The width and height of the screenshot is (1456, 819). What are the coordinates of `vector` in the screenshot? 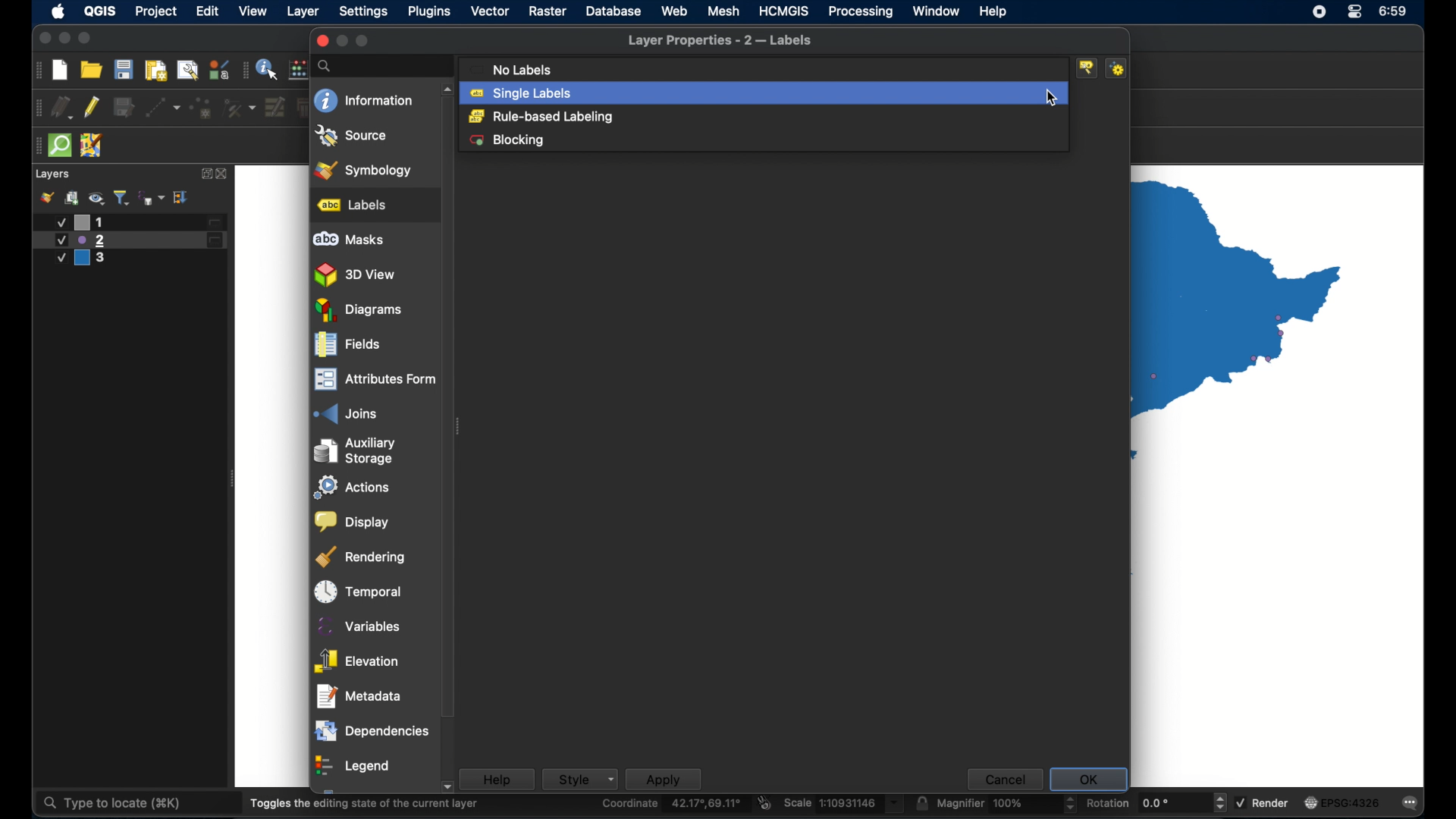 It's located at (489, 11).